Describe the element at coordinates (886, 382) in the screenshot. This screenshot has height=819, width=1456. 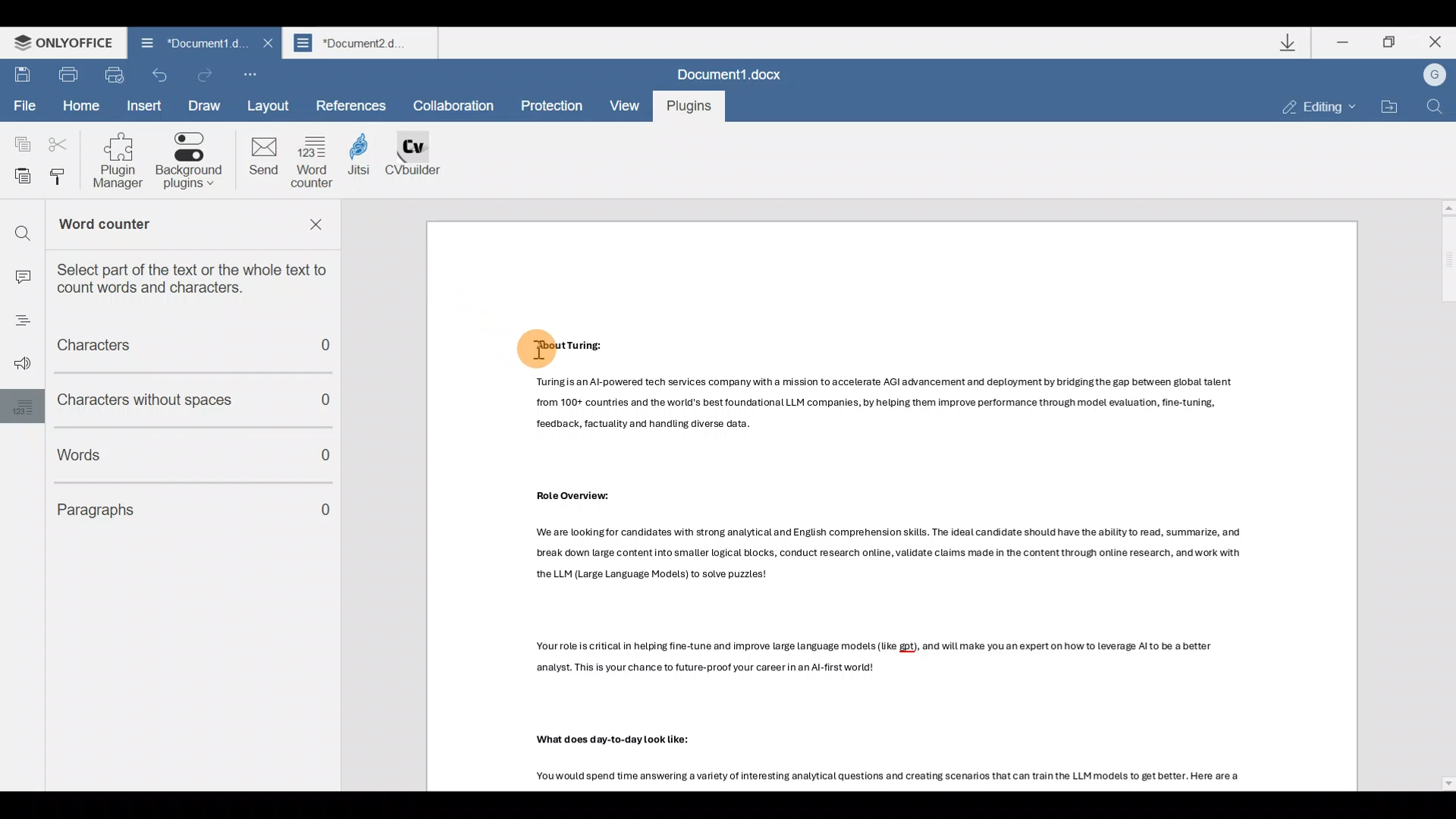
I see `About Turing:

Turing is an Al-powered tech services company witha mission to accelerate AGI advancement and deployment by bridging the gap between global talent
from 100+ countries and the world's best foundational LLM companies, by helping them improve performance through model evaluation, fine-tuning,
feedback, factuality and handling diverse data.` at that location.